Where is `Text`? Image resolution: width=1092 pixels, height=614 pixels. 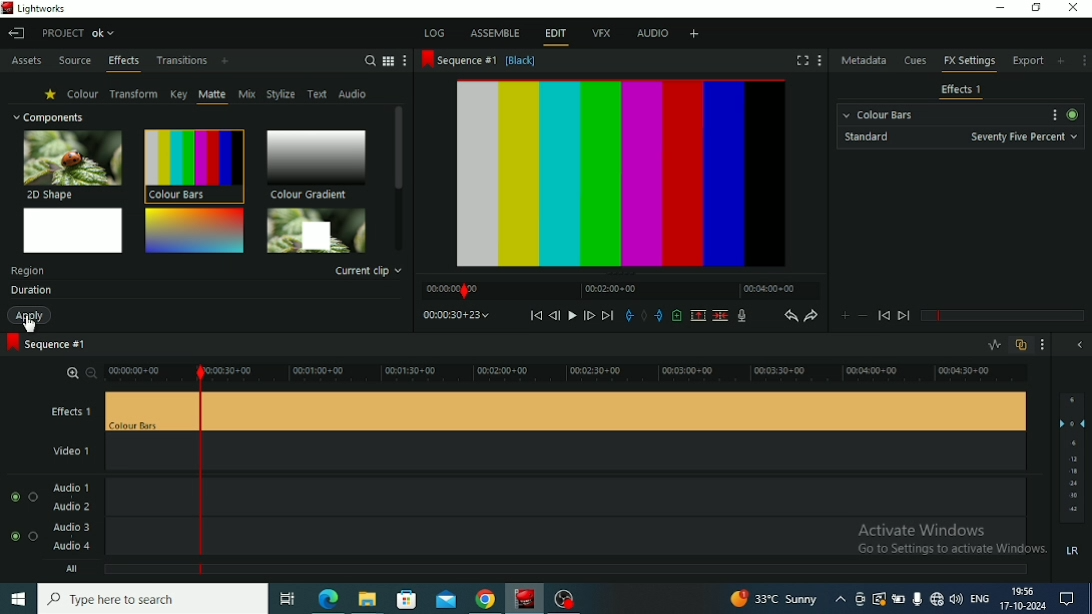 Text is located at coordinates (318, 95).